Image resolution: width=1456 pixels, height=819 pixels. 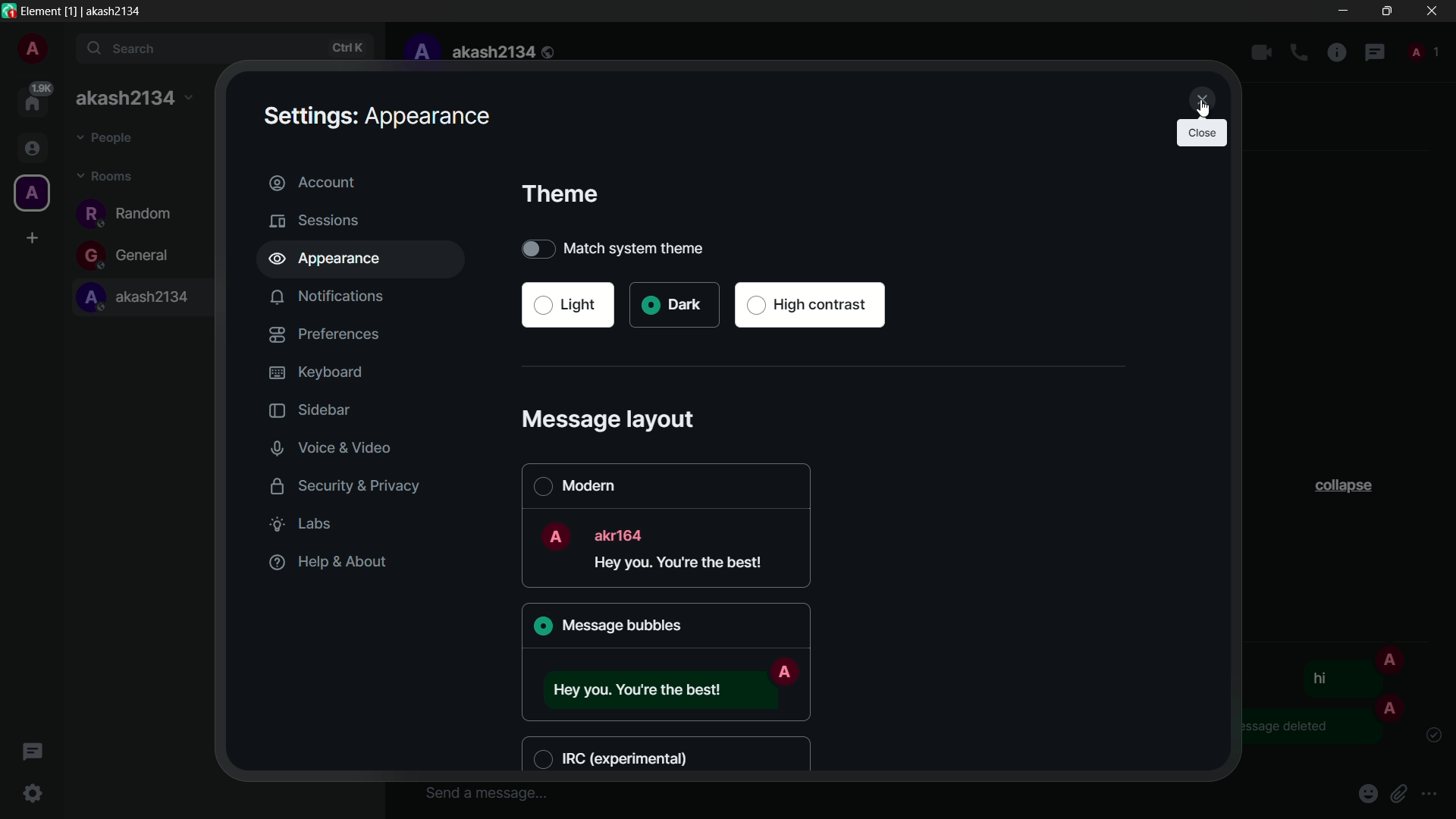 What do you see at coordinates (1386, 10) in the screenshot?
I see `maximize or restore` at bounding box center [1386, 10].